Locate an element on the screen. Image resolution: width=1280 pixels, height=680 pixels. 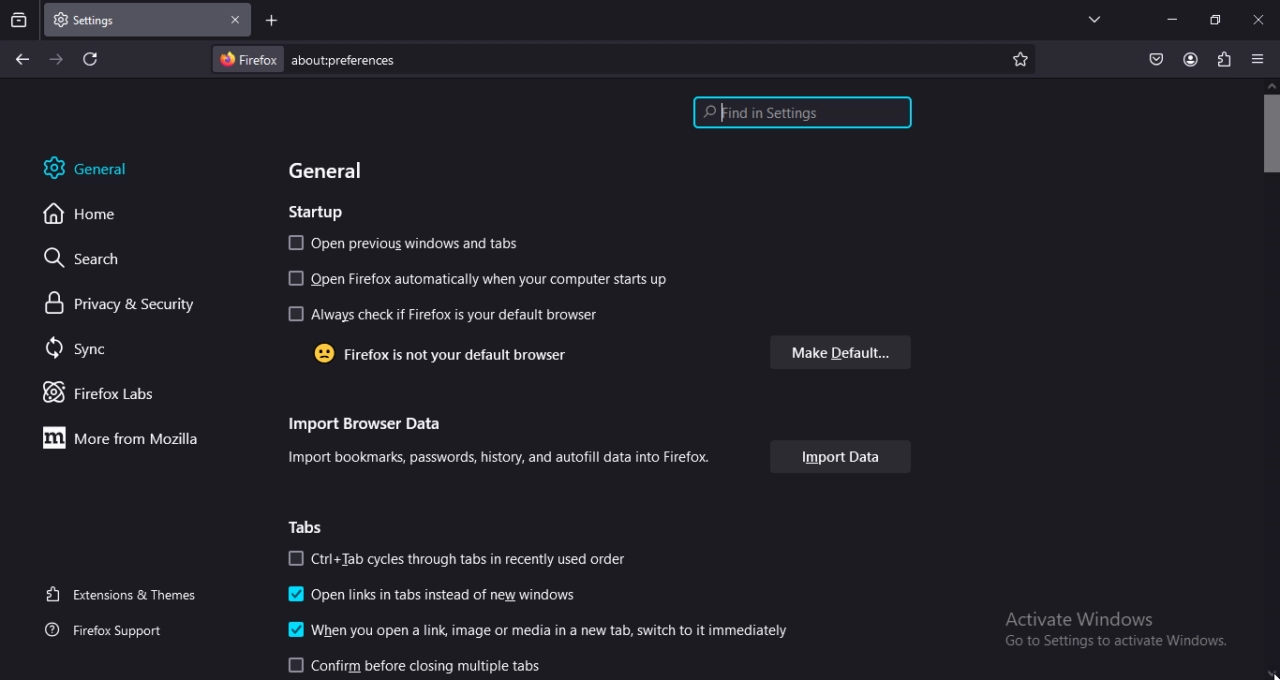
when you open a link, image or media in a new tab switch immediately is located at coordinates (538, 629).